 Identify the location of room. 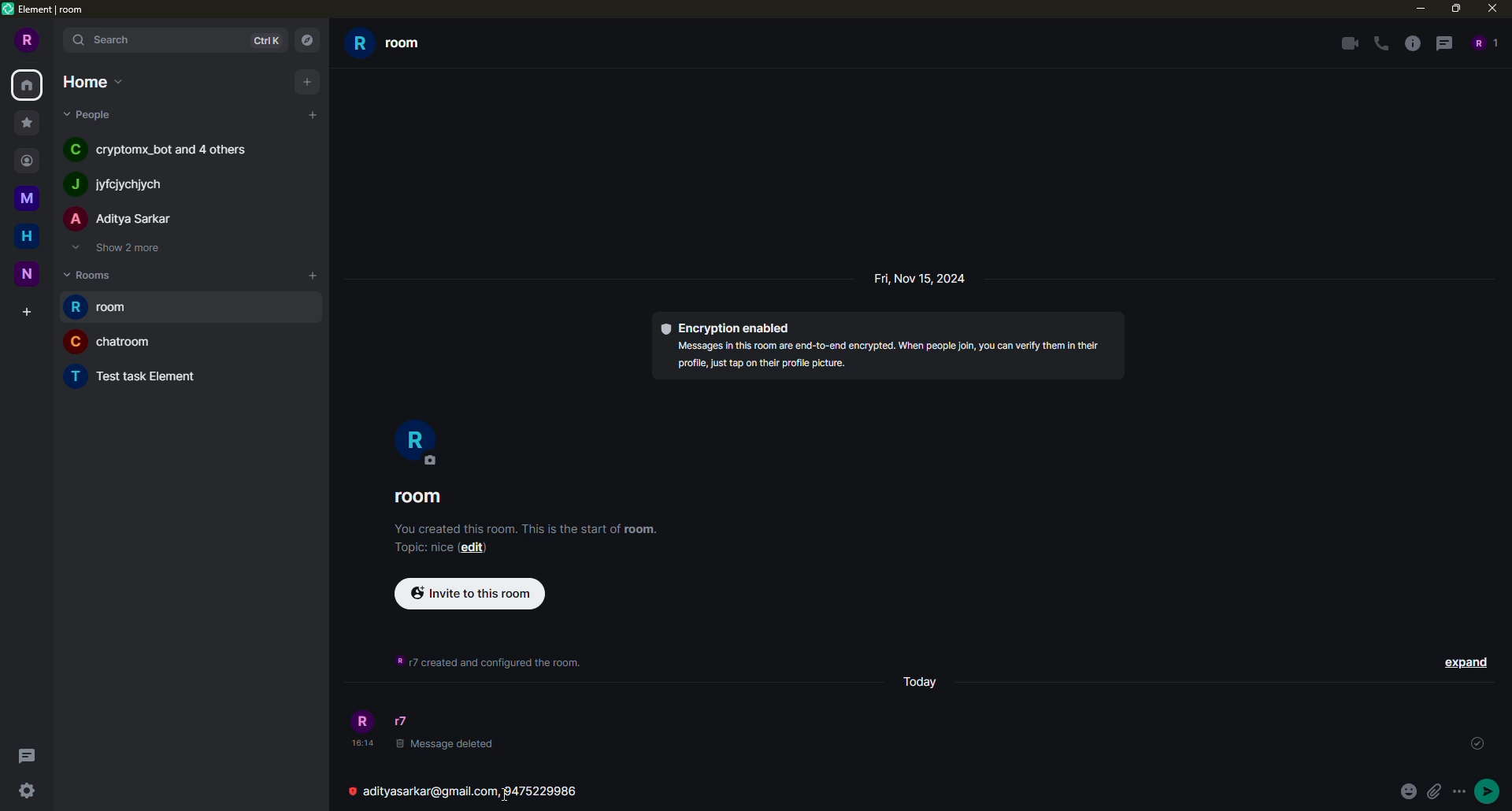
(137, 376).